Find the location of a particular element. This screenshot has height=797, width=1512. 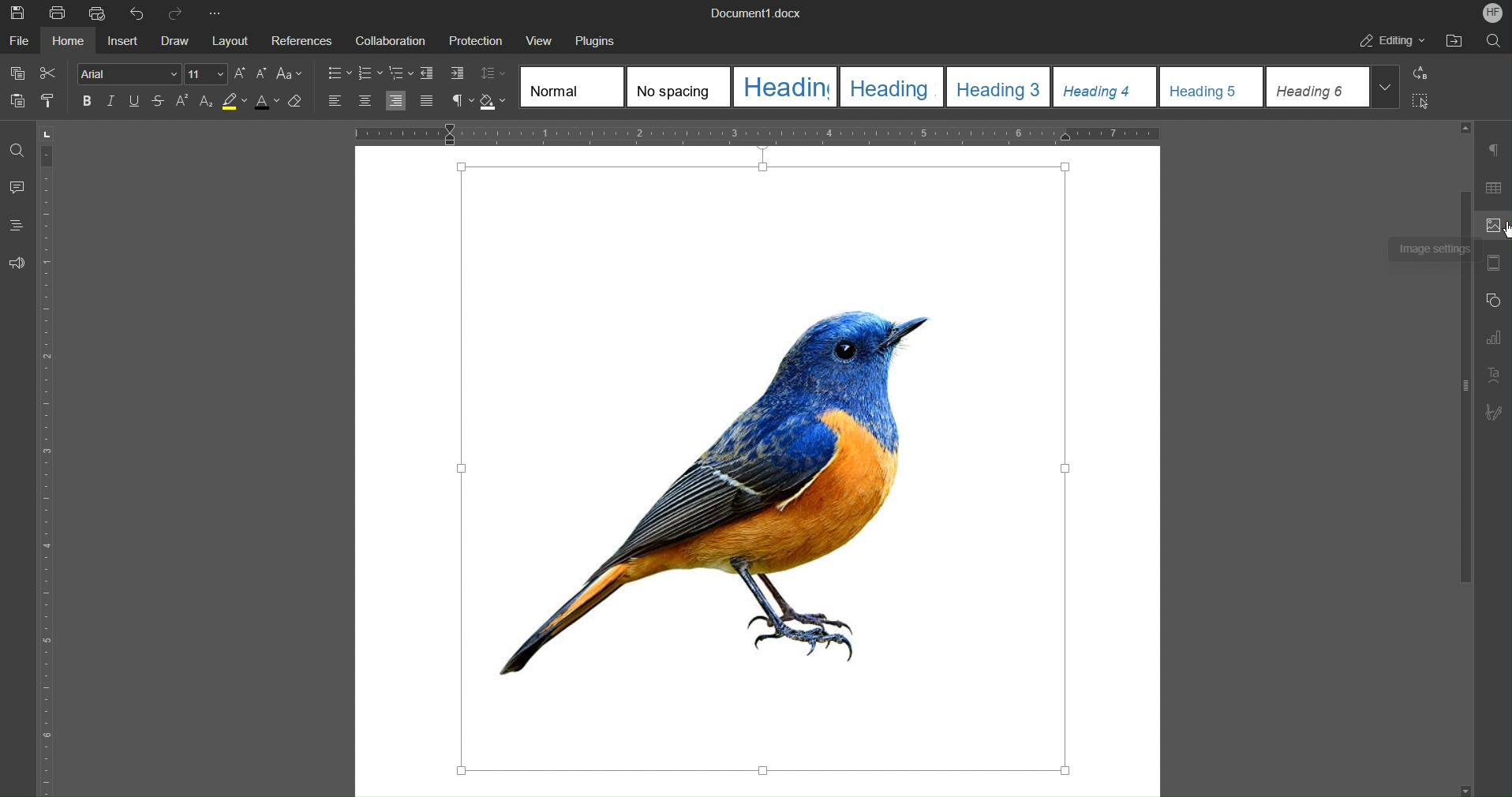

Comments is located at coordinates (17, 189).